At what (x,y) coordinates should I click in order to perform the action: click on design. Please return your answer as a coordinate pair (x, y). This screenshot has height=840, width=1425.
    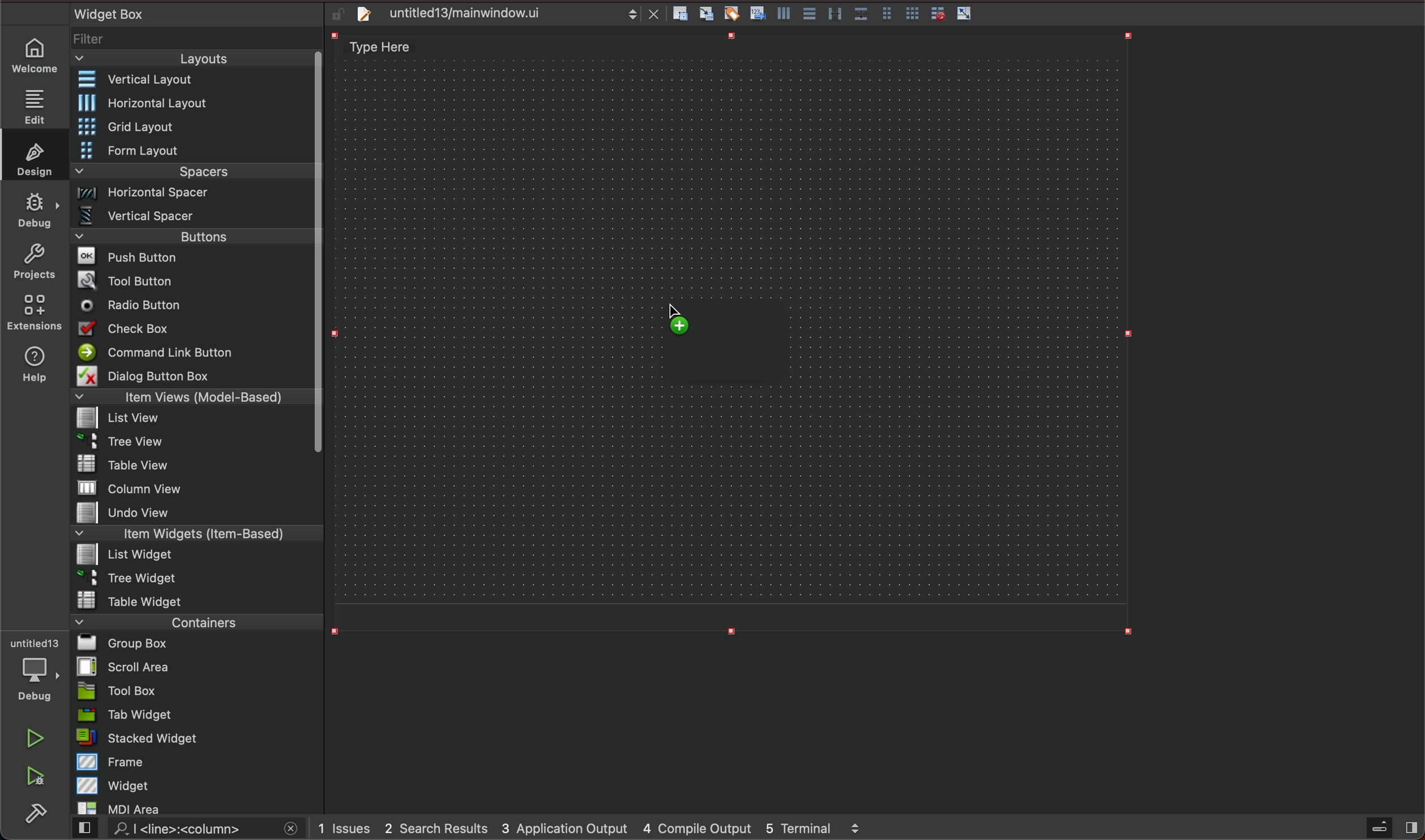
    Looking at the image, I should click on (33, 155).